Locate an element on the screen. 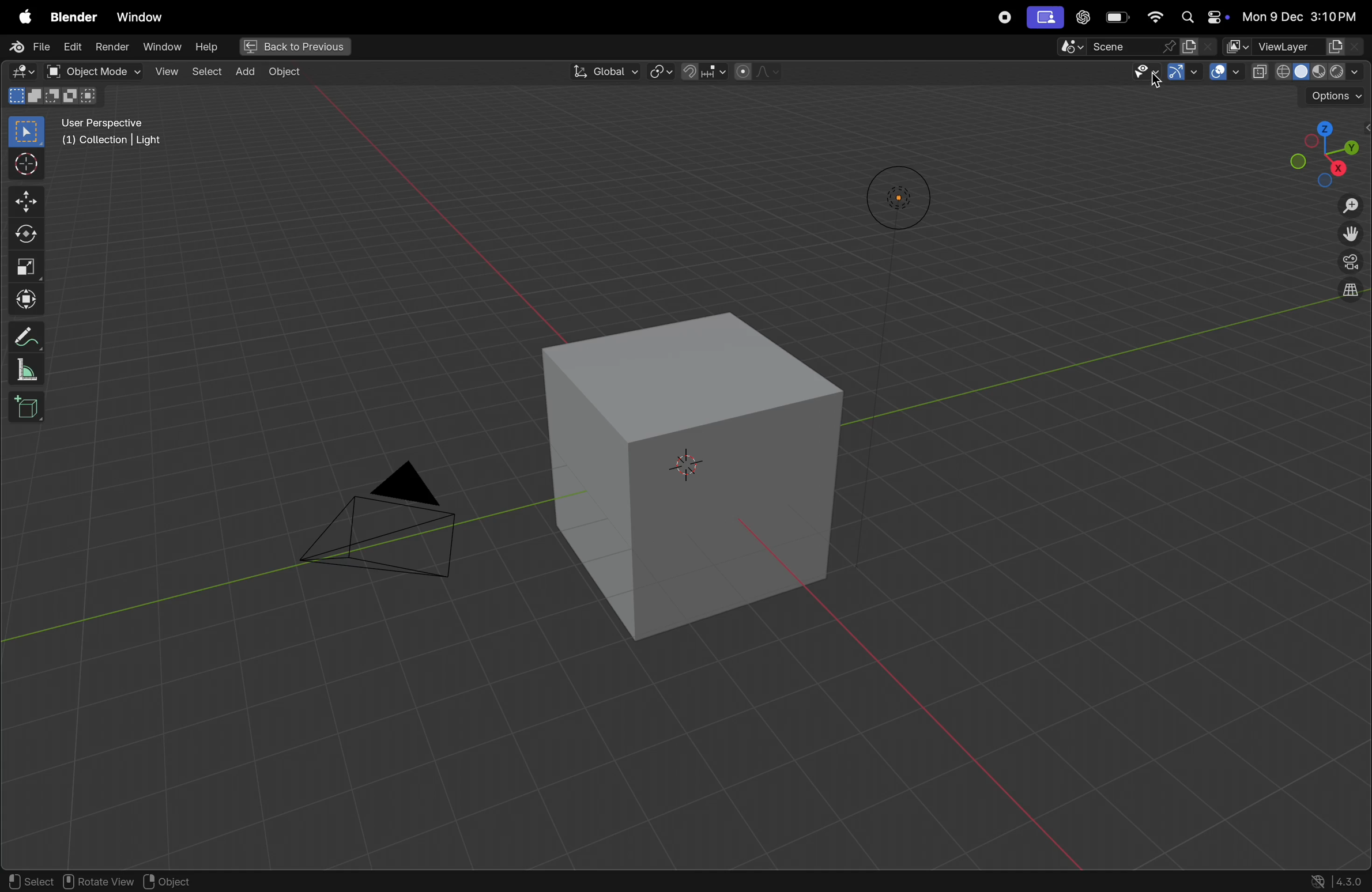 Image resolution: width=1372 pixels, height=892 pixels. battery is located at coordinates (1114, 18).